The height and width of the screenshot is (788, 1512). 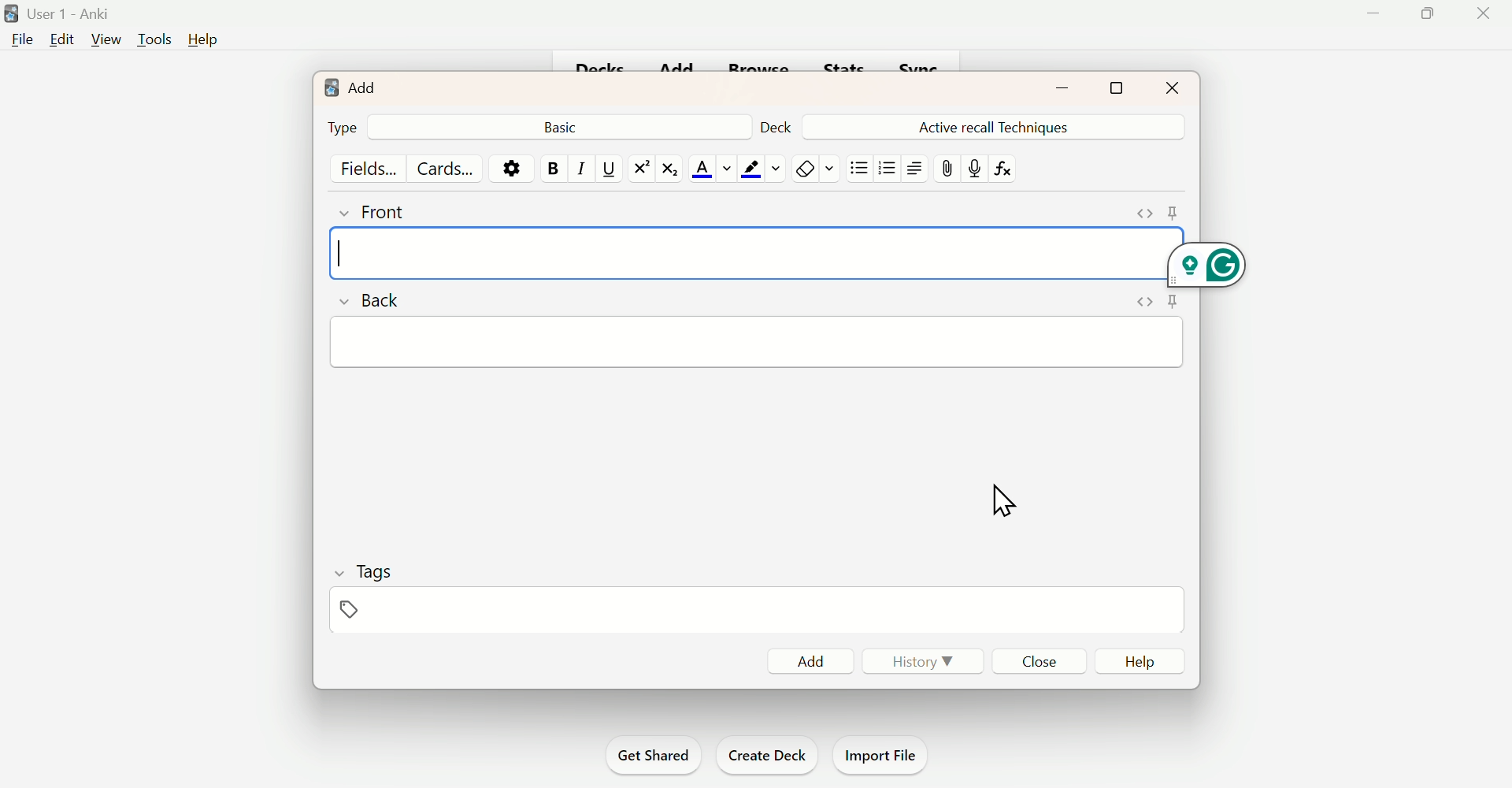 What do you see at coordinates (913, 167) in the screenshot?
I see `Text Alignment` at bounding box center [913, 167].